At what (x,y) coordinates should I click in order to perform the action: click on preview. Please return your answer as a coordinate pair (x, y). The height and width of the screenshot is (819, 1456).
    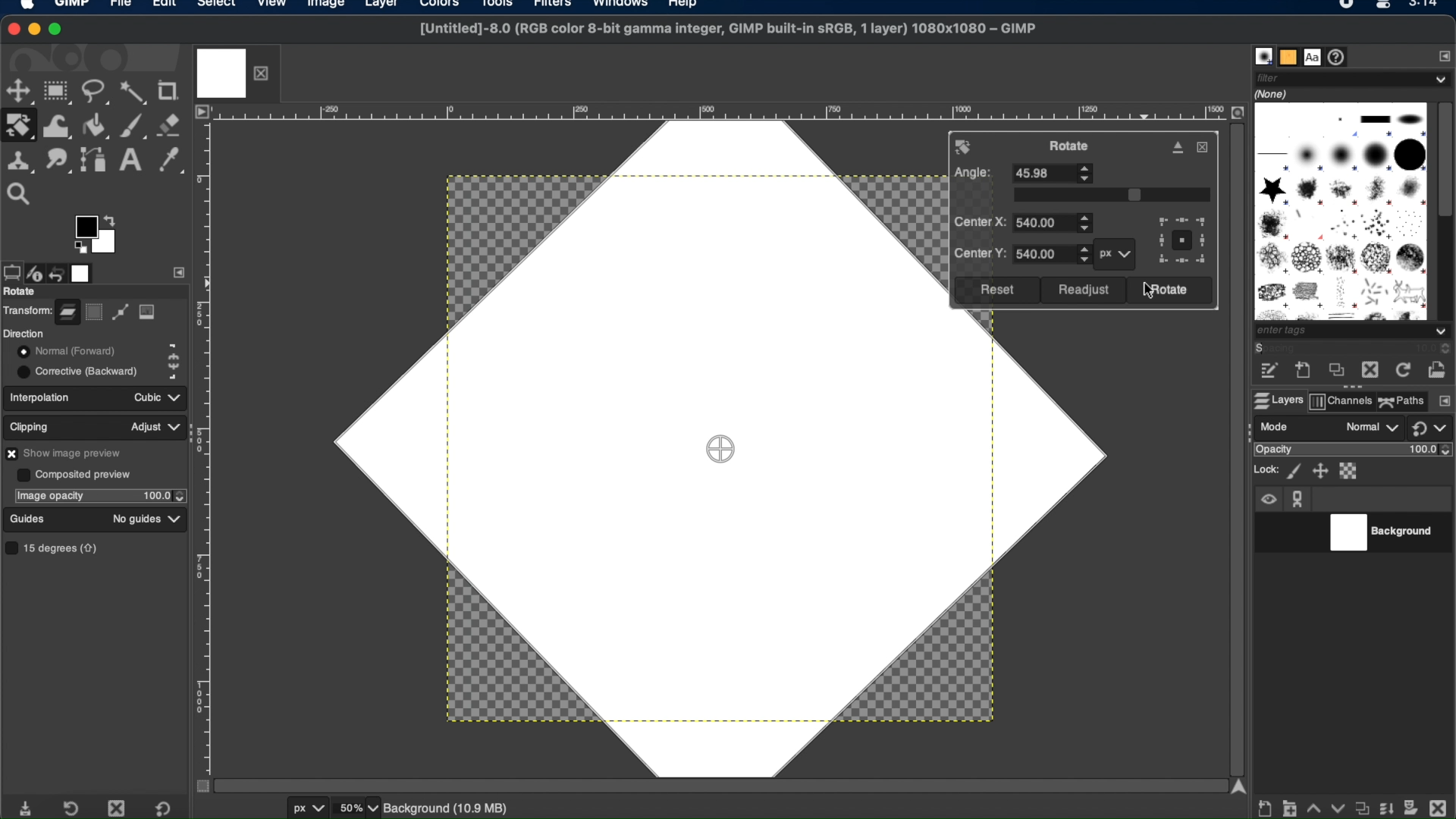
    Looking at the image, I should click on (80, 248).